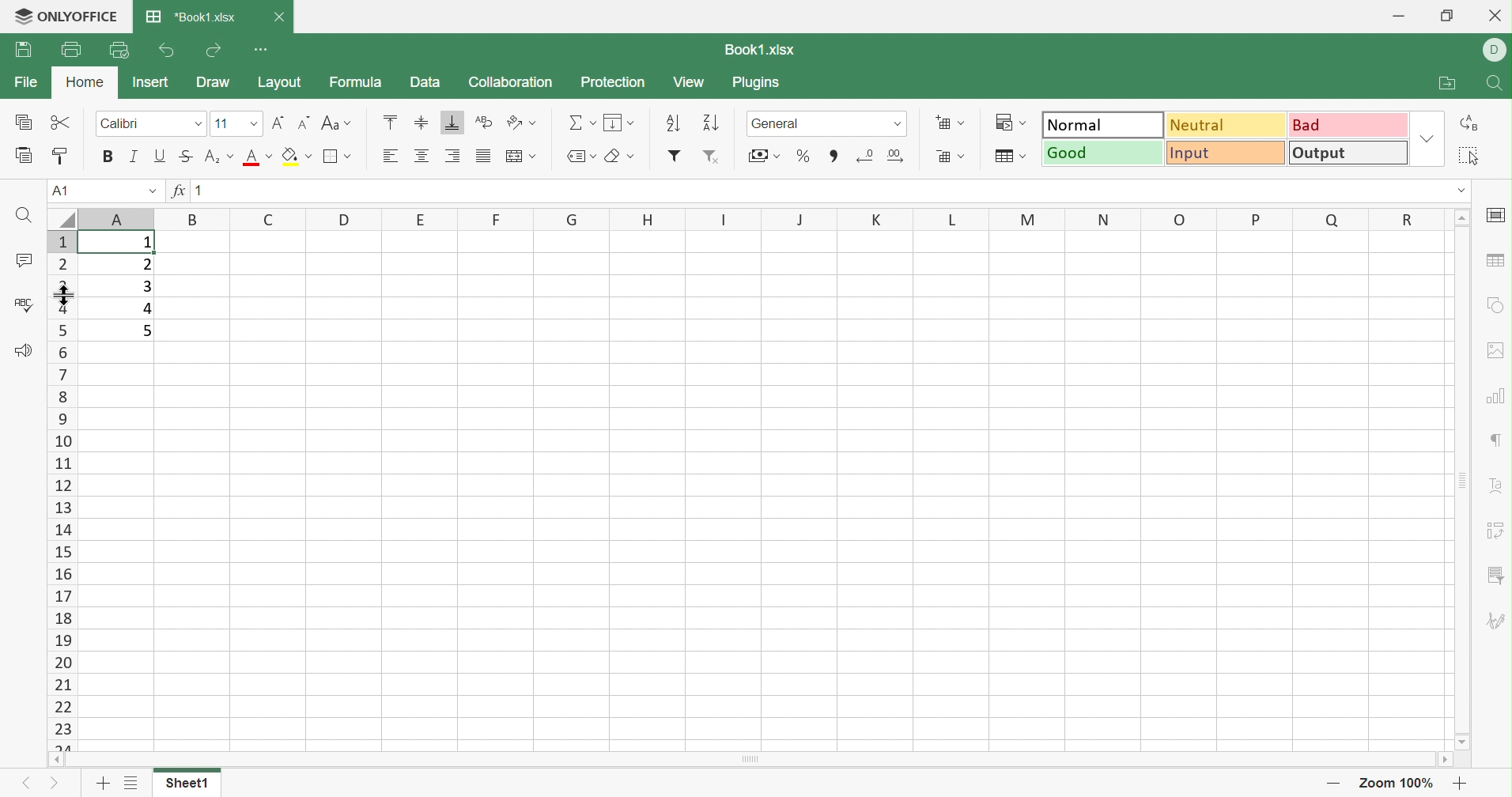  Describe the element at coordinates (592, 121) in the screenshot. I see `Drop Down` at that location.